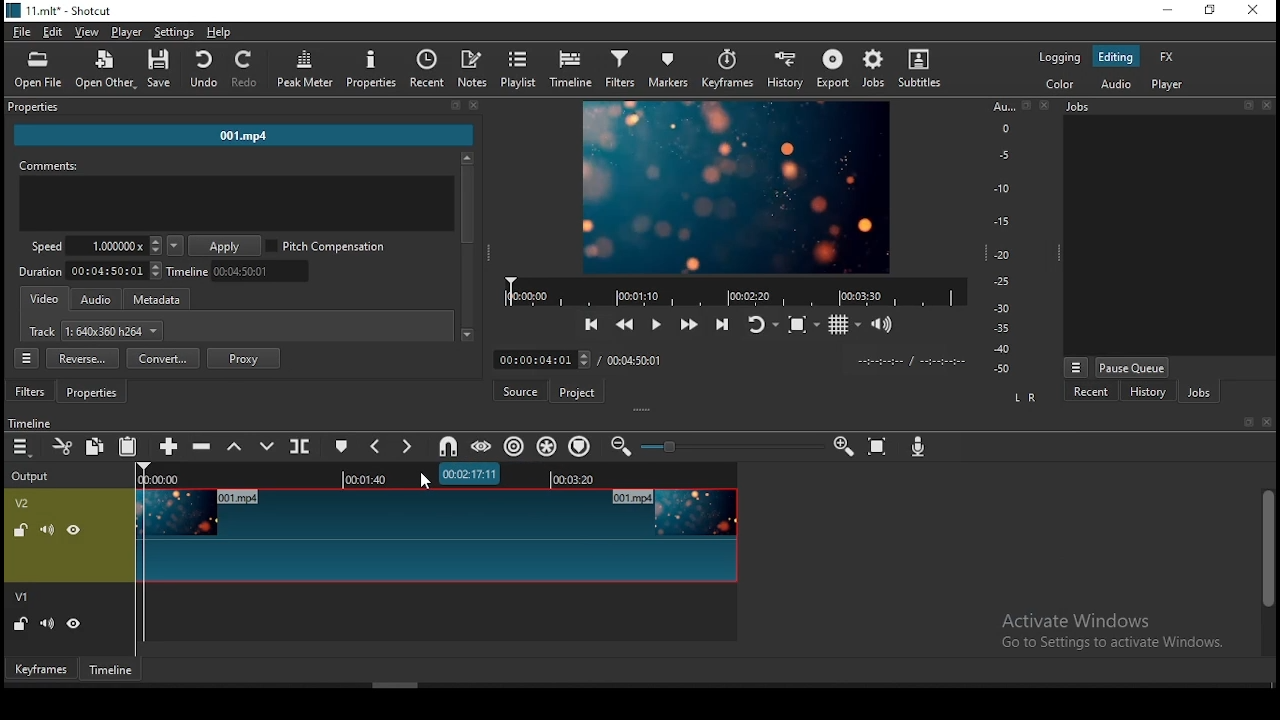  I want to click on playlist, so click(519, 69).